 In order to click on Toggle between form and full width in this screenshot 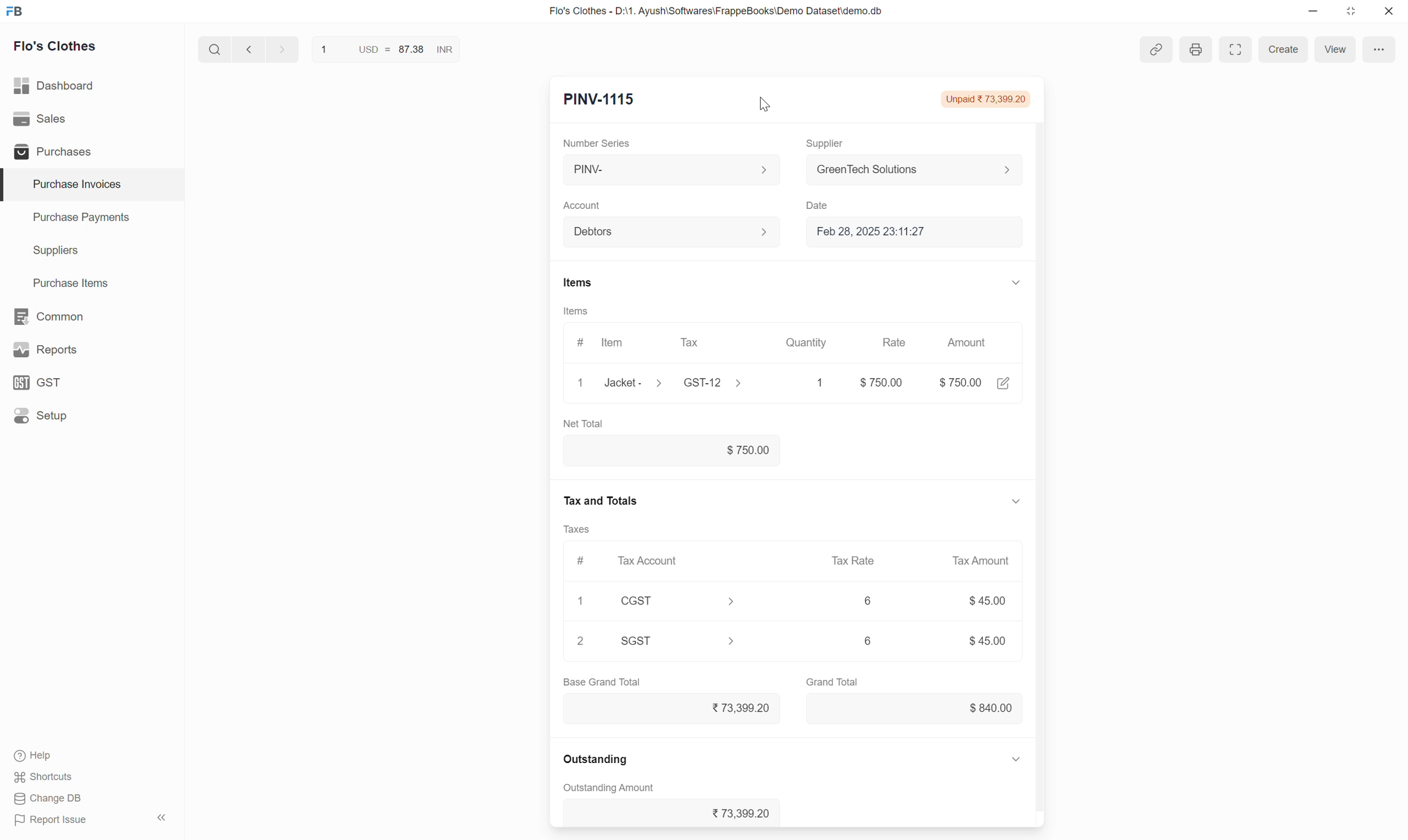, I will do `click(1235, 49)`.